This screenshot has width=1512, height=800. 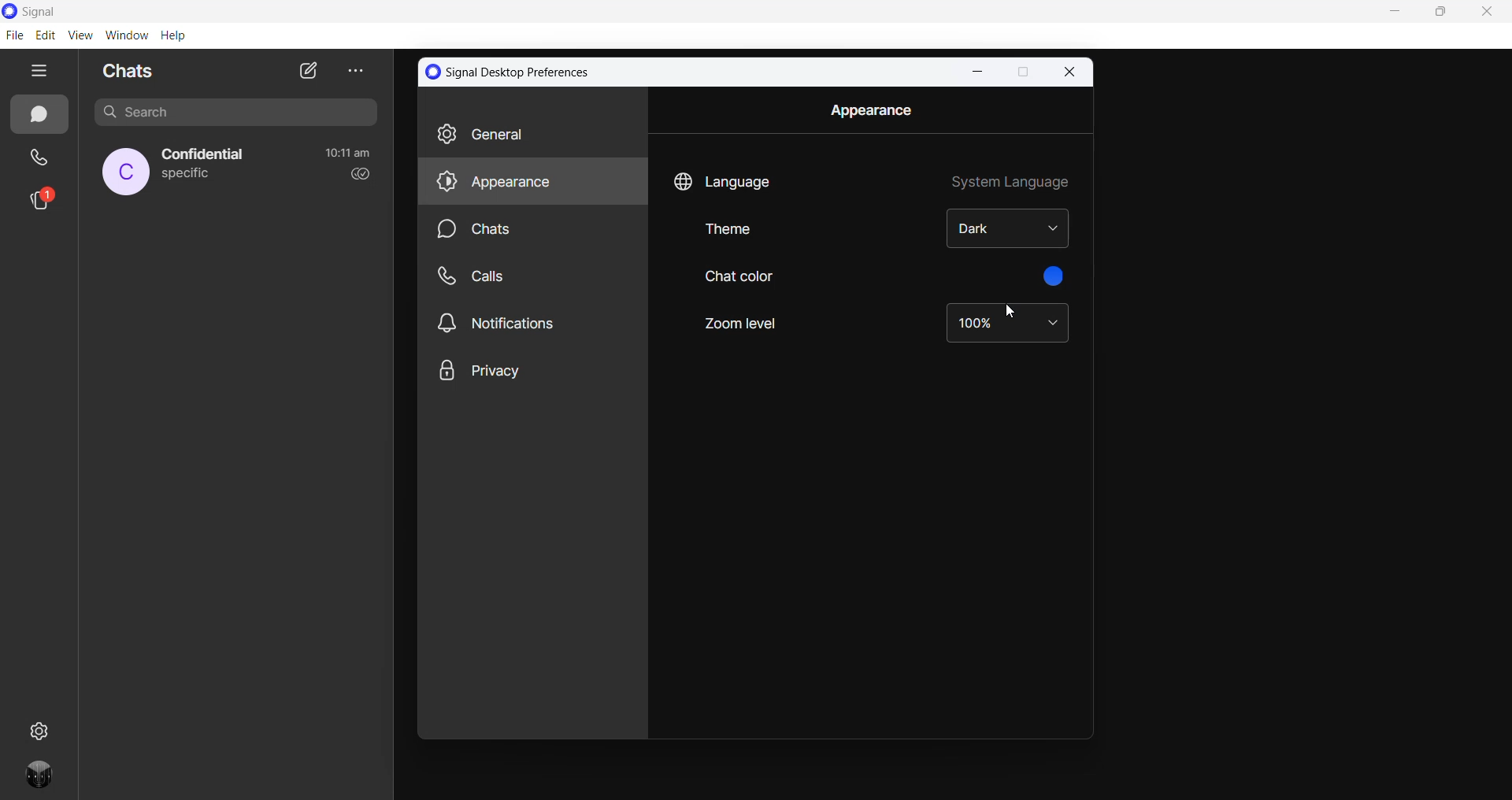 I want to click on language, so click(x=724, y=178).